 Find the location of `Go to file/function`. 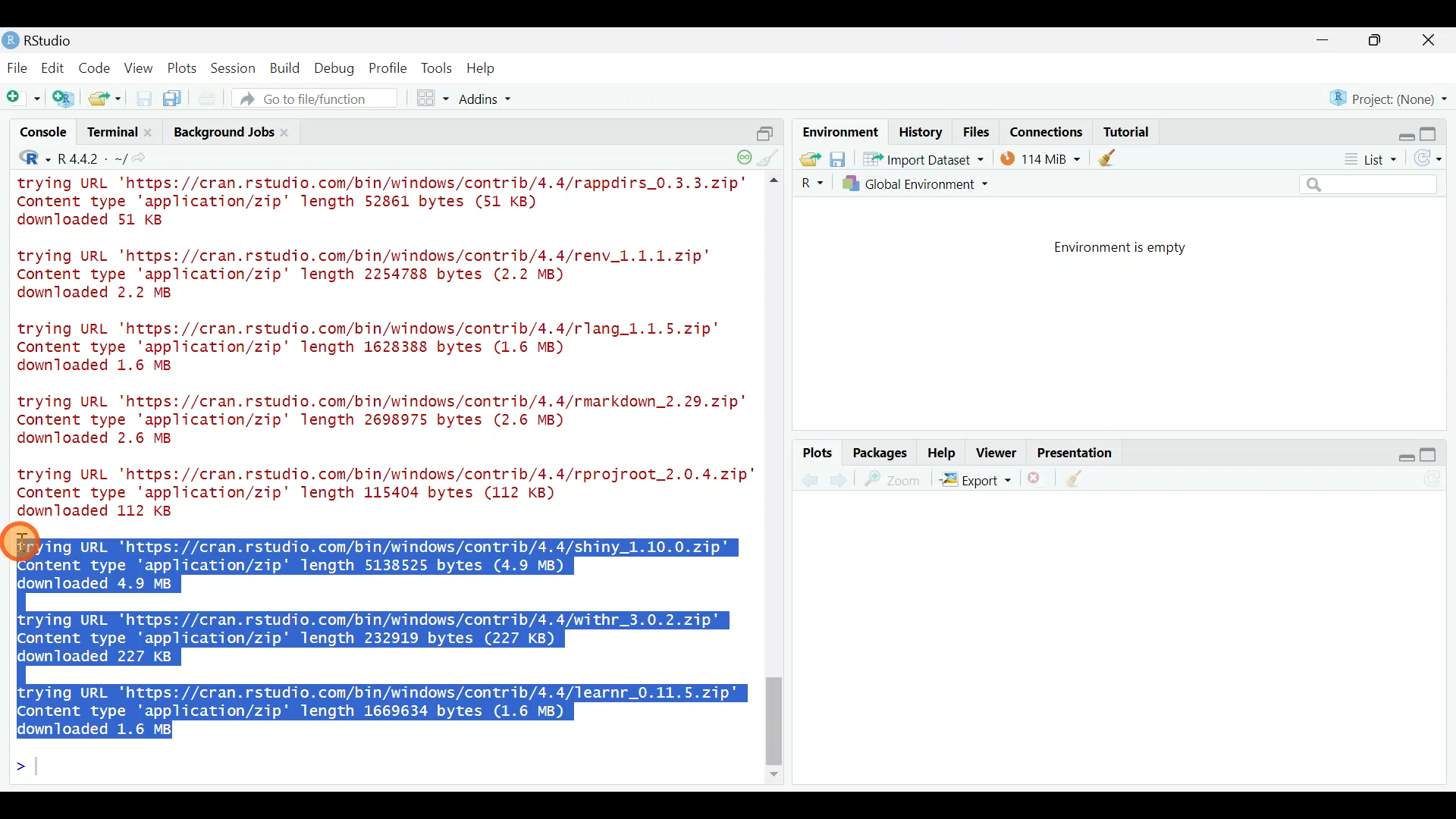

Go to file/function is located at coordinates (322, 99).